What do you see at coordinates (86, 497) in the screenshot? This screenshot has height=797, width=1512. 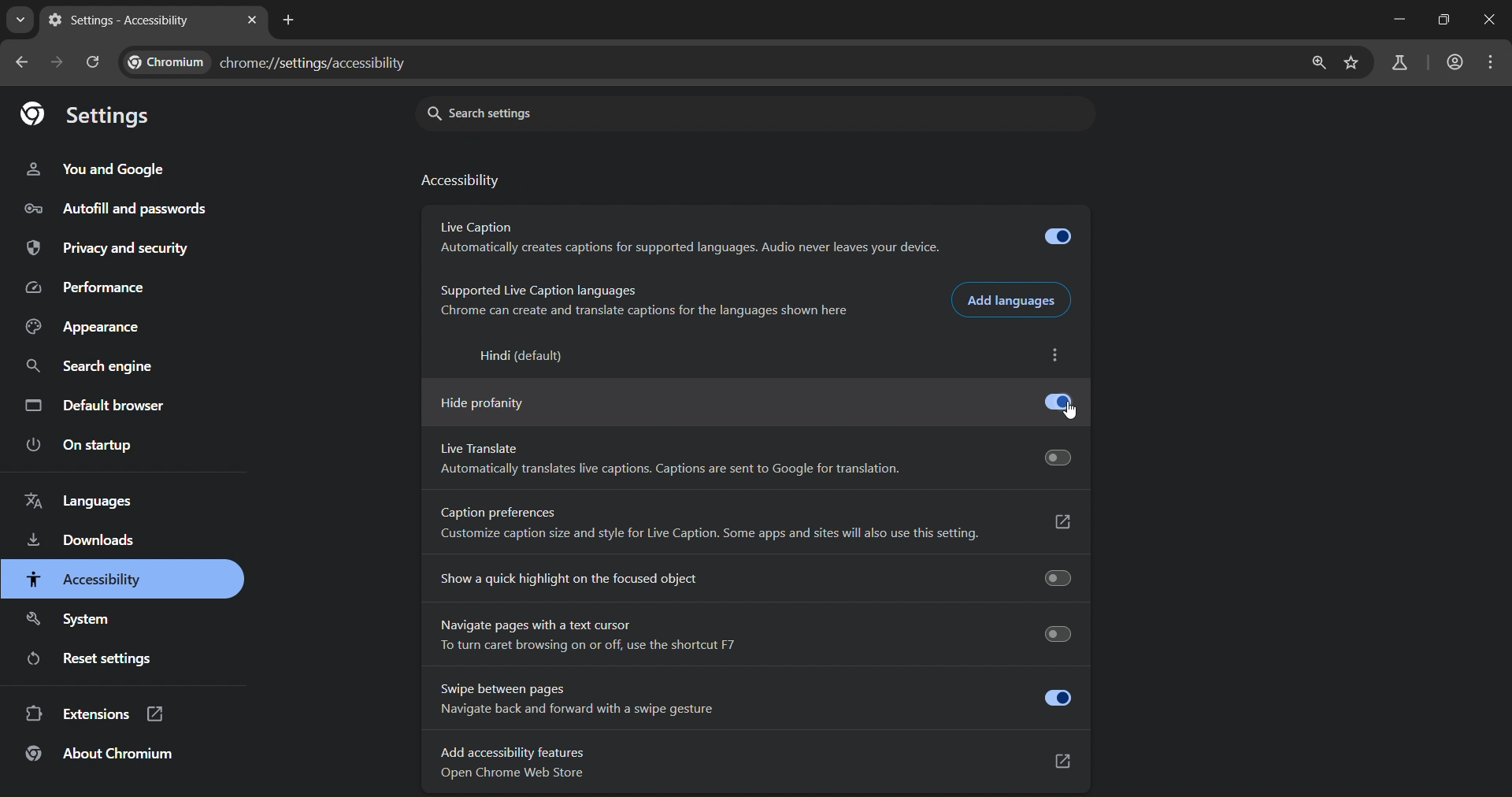 I see `languages` at bounding box center [86, 497].